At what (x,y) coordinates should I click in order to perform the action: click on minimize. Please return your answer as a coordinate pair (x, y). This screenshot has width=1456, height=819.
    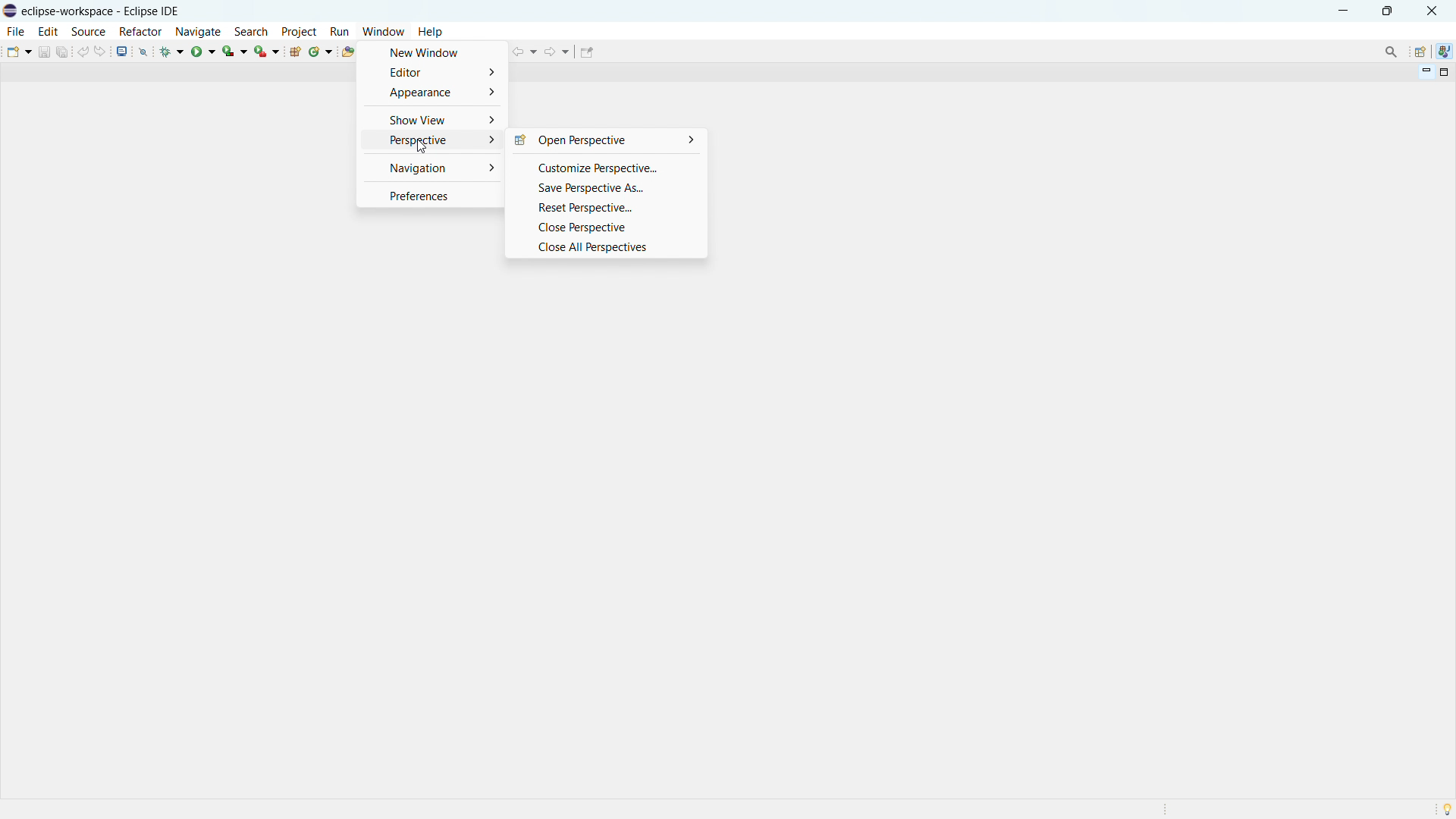
    Looking at the image, I should click on (1344, 10).